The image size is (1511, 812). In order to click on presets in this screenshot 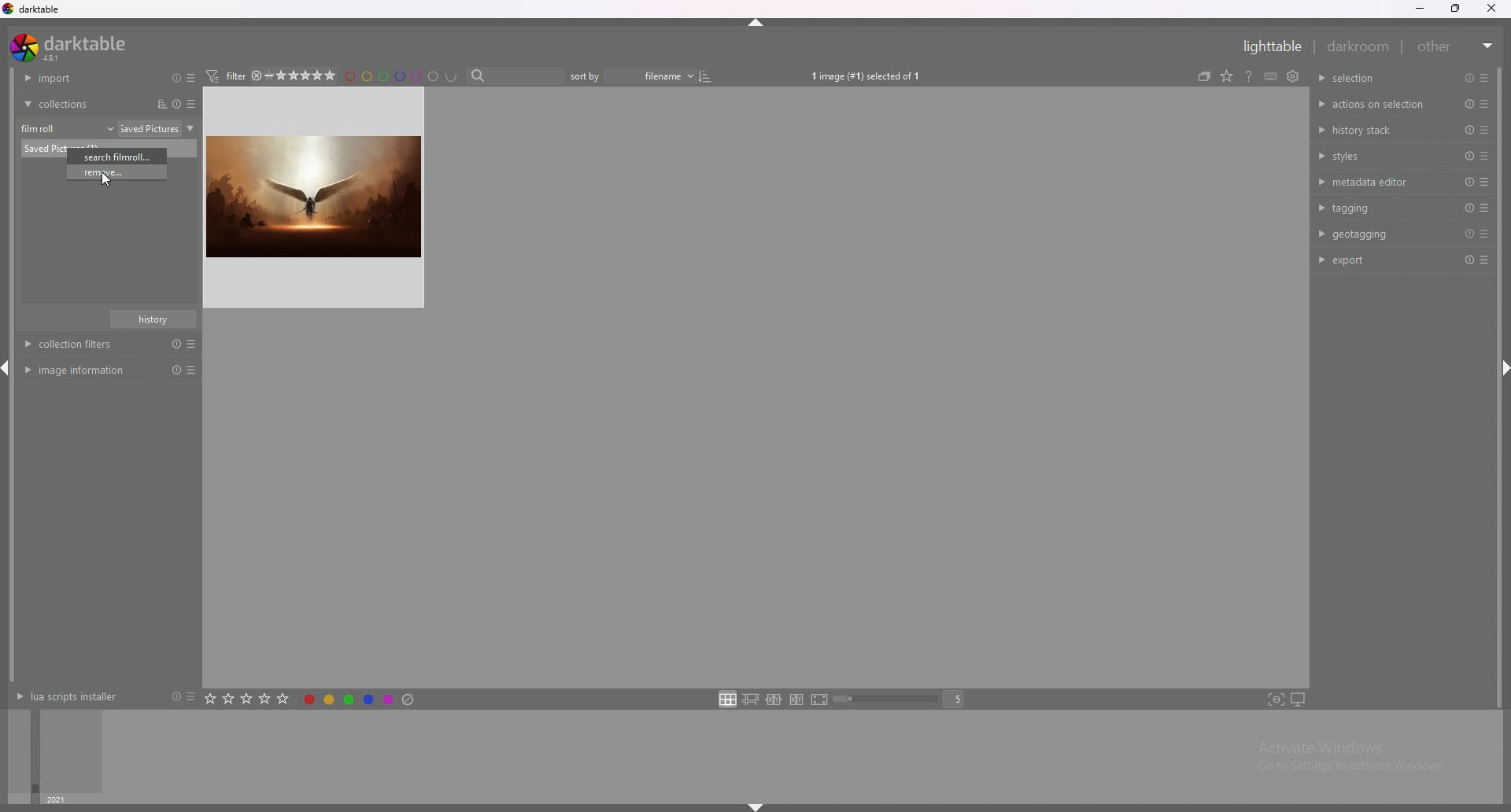, I will do `click(1482, 78)`.